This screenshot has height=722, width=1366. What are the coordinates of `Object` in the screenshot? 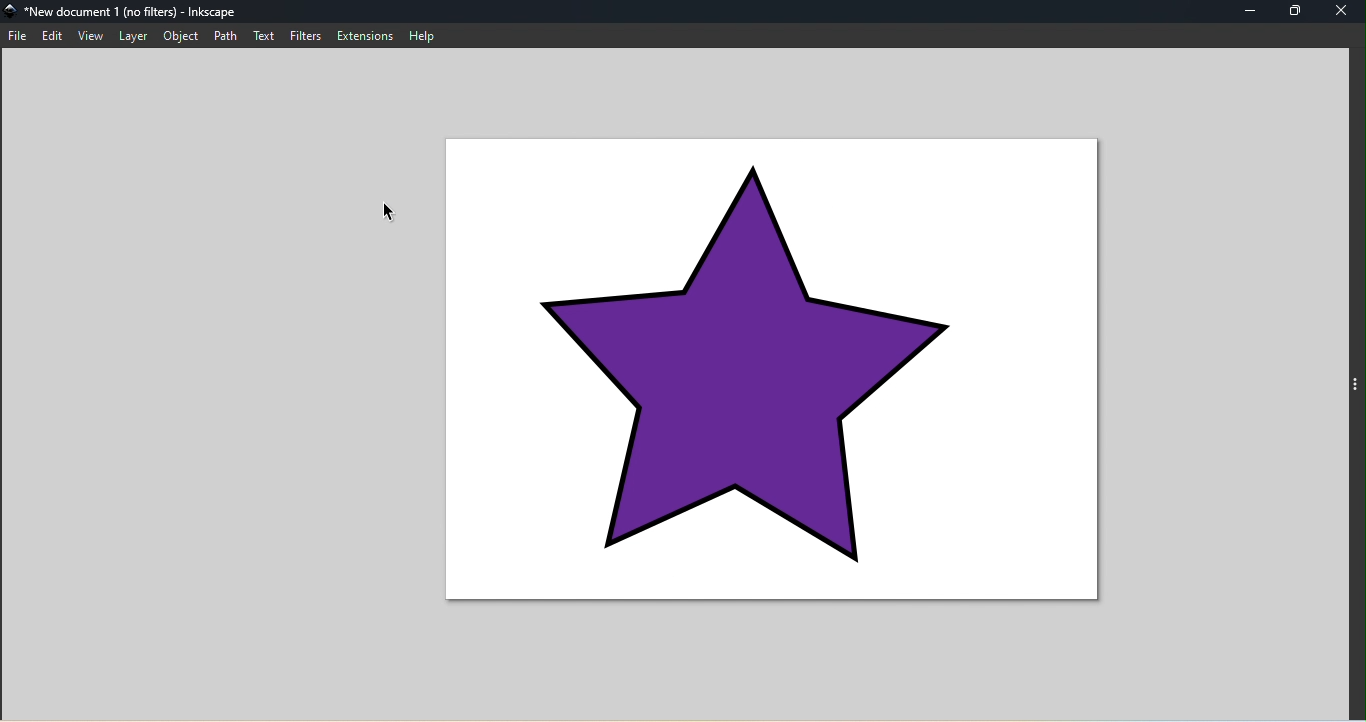 It's located at (180, 35).